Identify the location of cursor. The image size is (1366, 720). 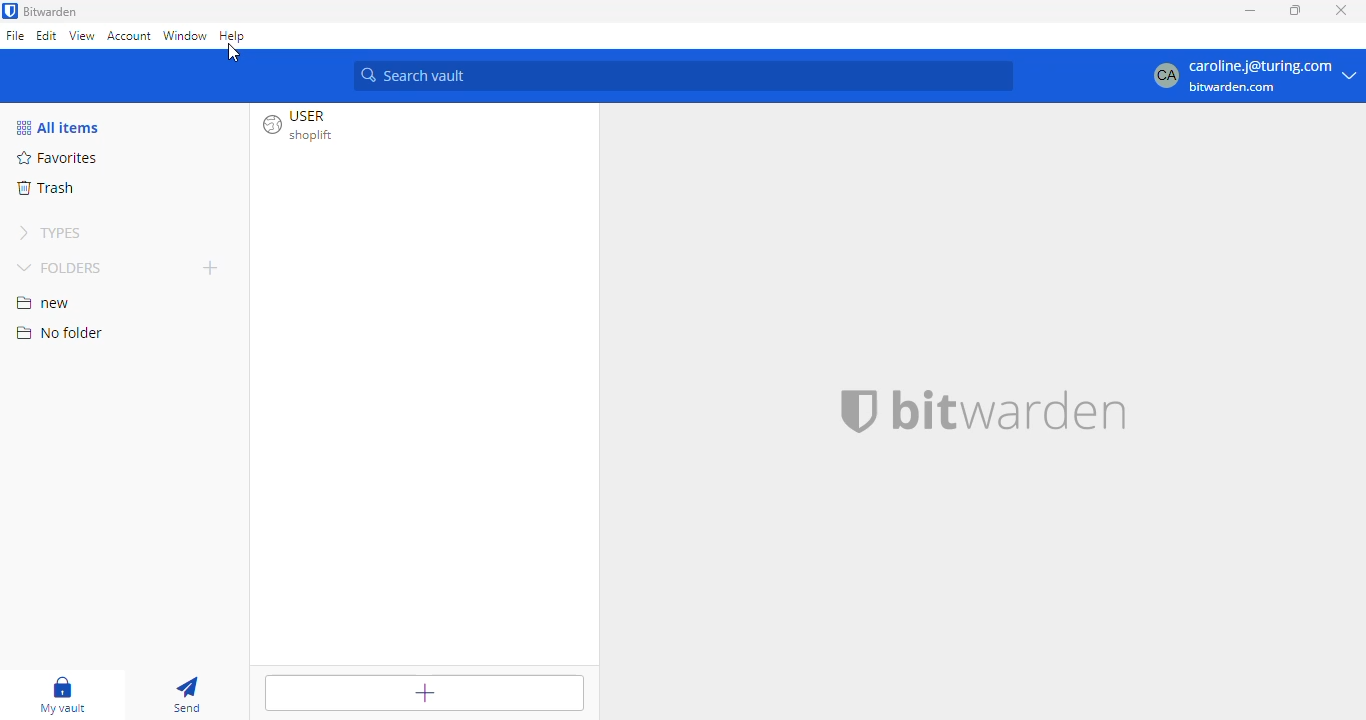
(234, 53).